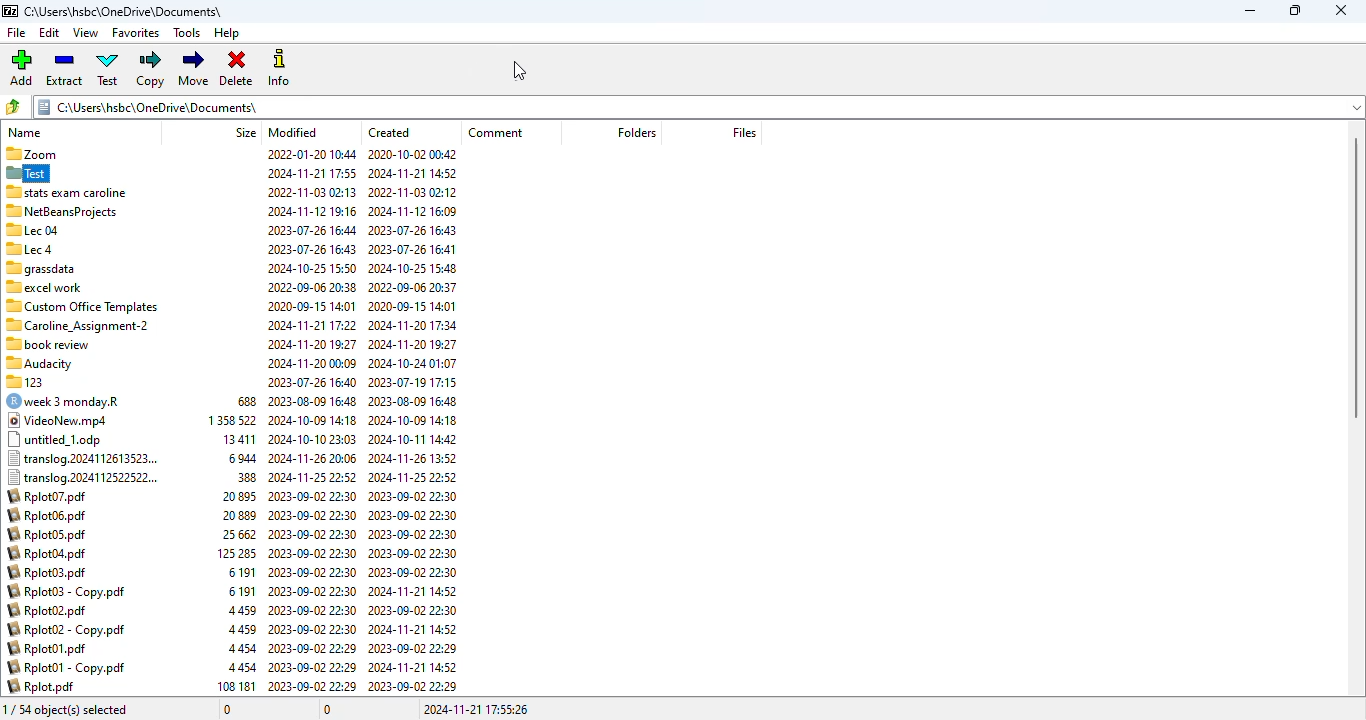 The width and height of the screenshot is (1366, 720). Describe the element at coordinates (67, 629) in the screenshot. I see `Rplot02 - Copy.pdf` at that location.